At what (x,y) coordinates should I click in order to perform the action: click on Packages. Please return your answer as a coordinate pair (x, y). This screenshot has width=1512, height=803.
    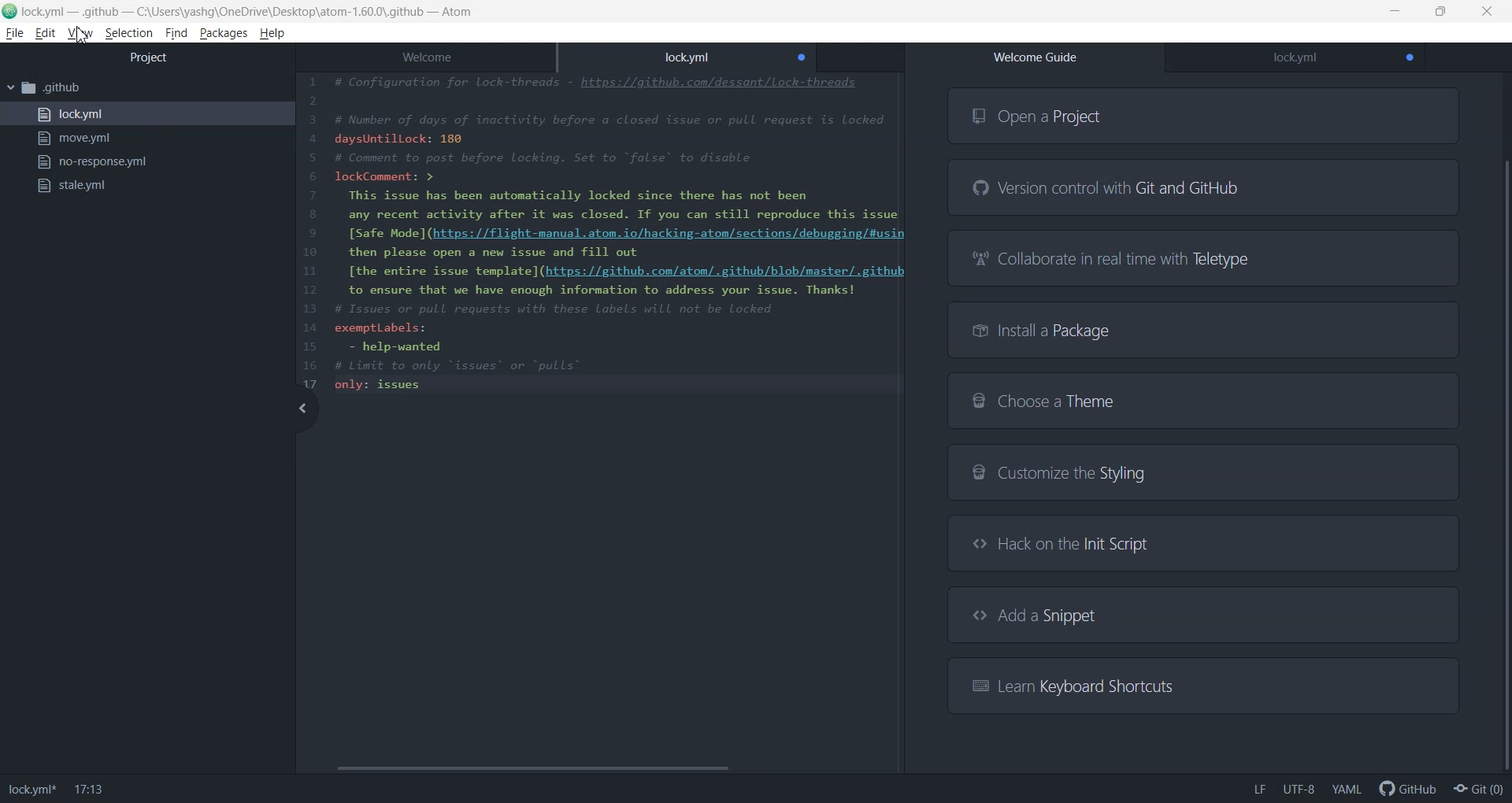
    Looking at the image, I should click on (224, 34).